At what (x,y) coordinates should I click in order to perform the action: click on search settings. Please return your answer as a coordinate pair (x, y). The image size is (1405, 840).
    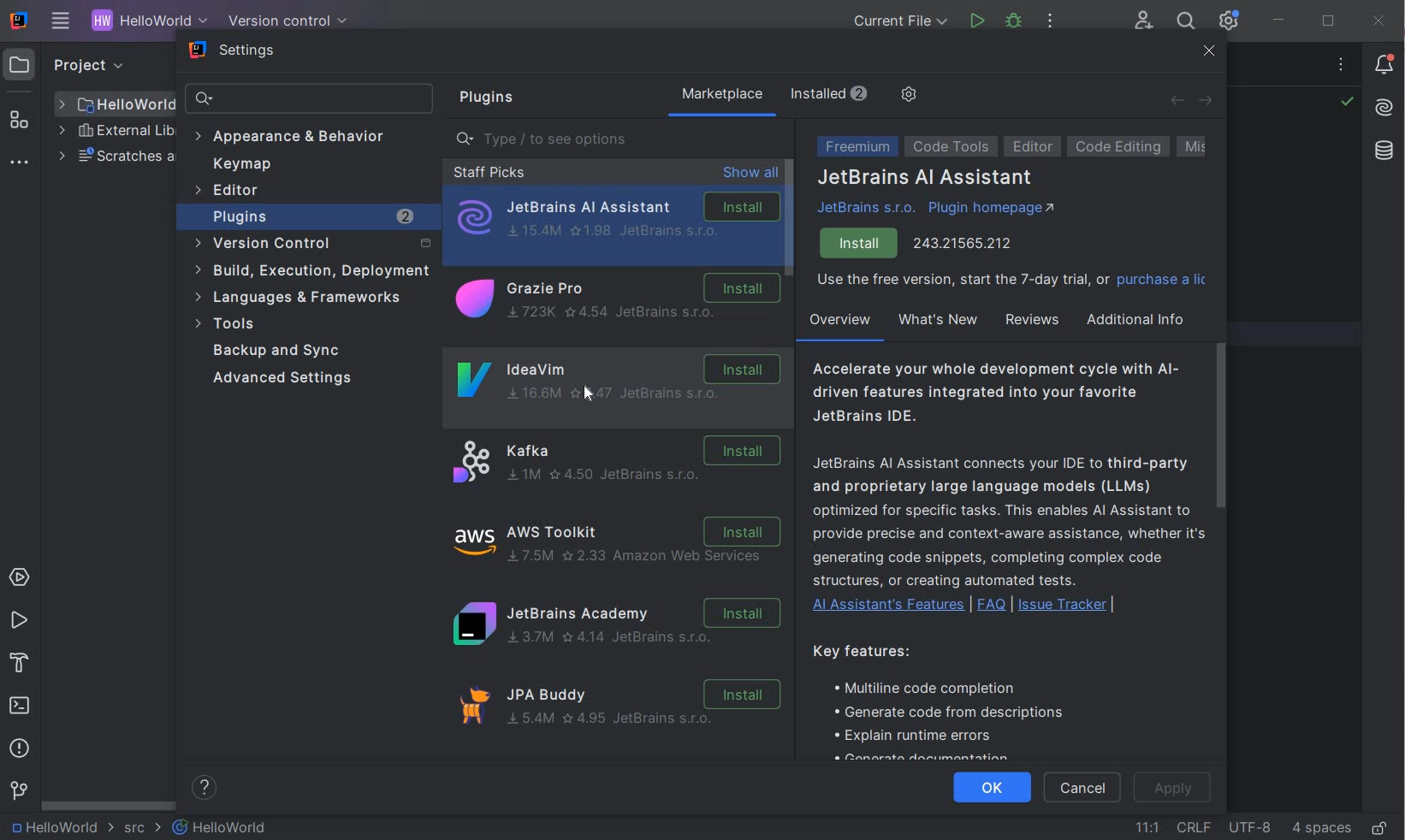
    Looking at the image, I should click on (311, 99).